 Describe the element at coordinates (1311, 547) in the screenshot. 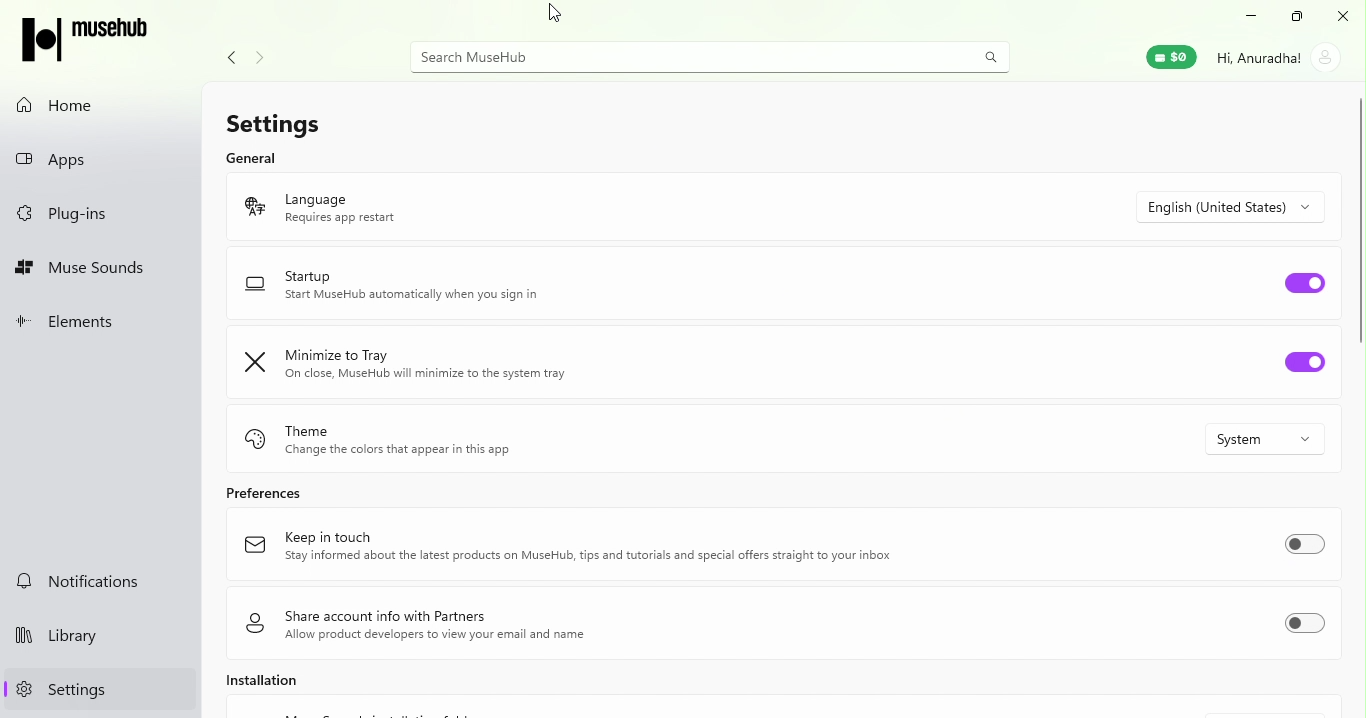

I see `Toggle` at that location.